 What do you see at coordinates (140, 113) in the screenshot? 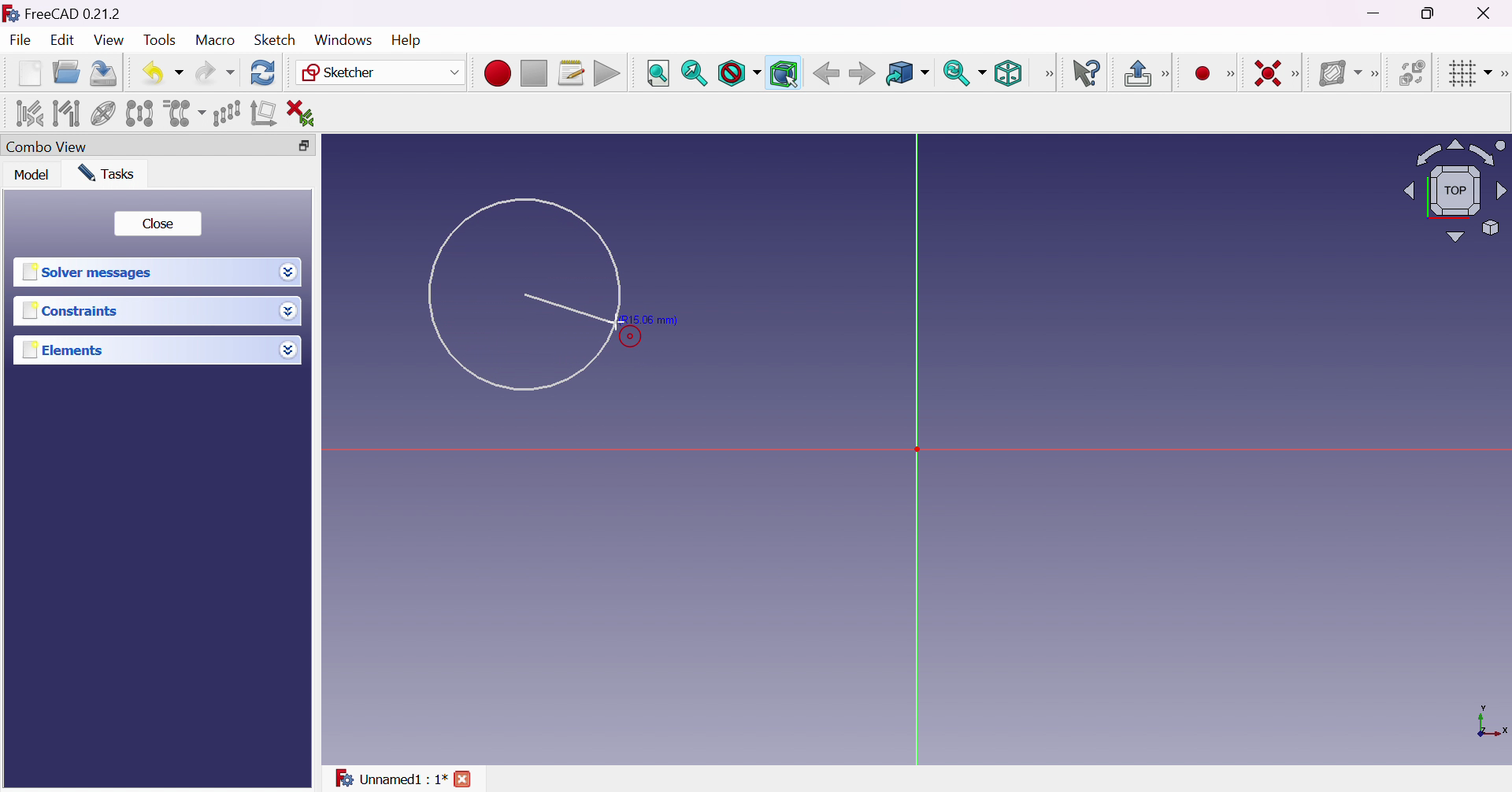
I see `Symmetry` at bounding box center [140, 113].